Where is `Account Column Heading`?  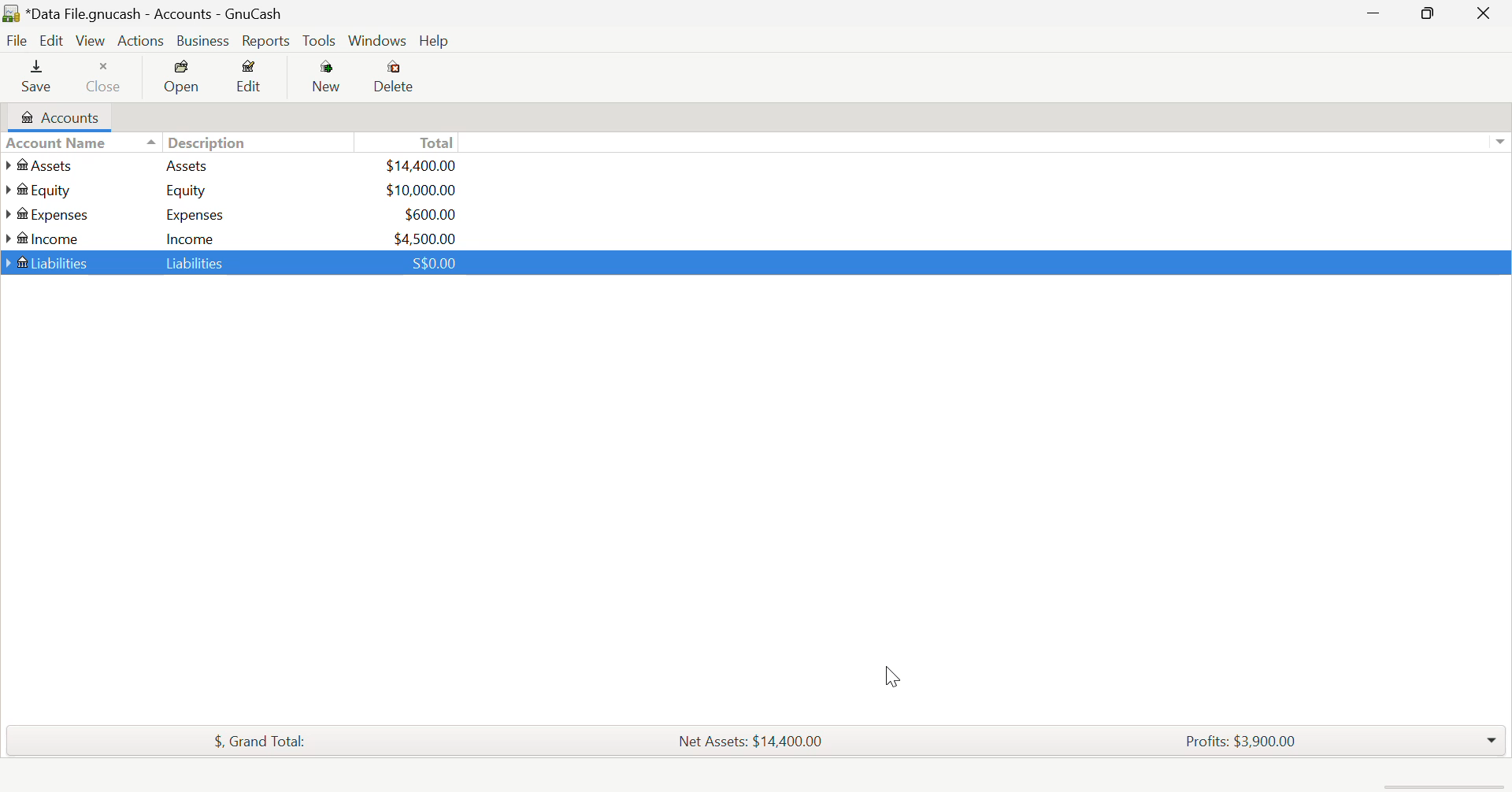
Account Column Heading is located at coordinates (60, 144).